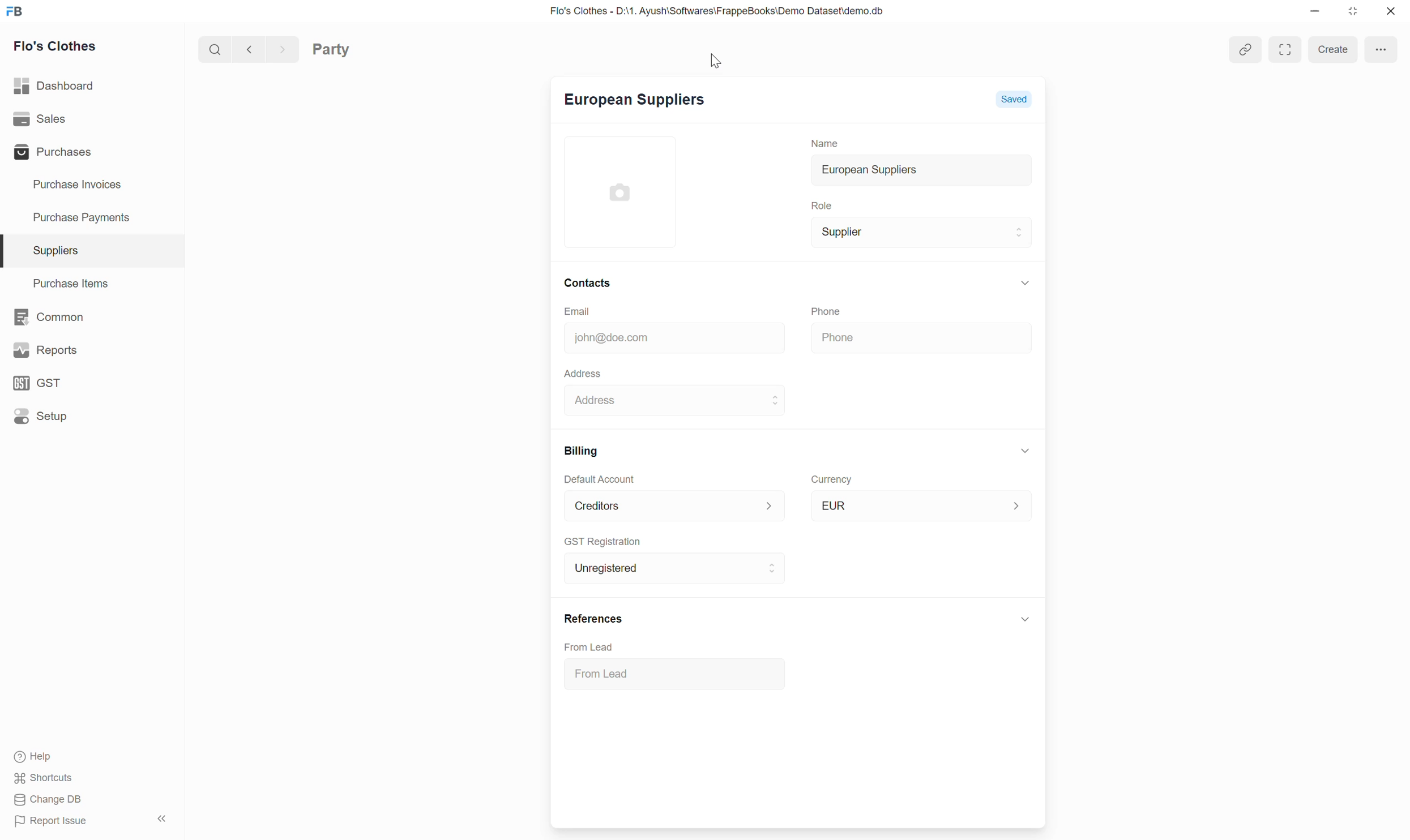 The width and height of the screenshot is (1410, 840). I want to click on change DB, so click(48, 799).